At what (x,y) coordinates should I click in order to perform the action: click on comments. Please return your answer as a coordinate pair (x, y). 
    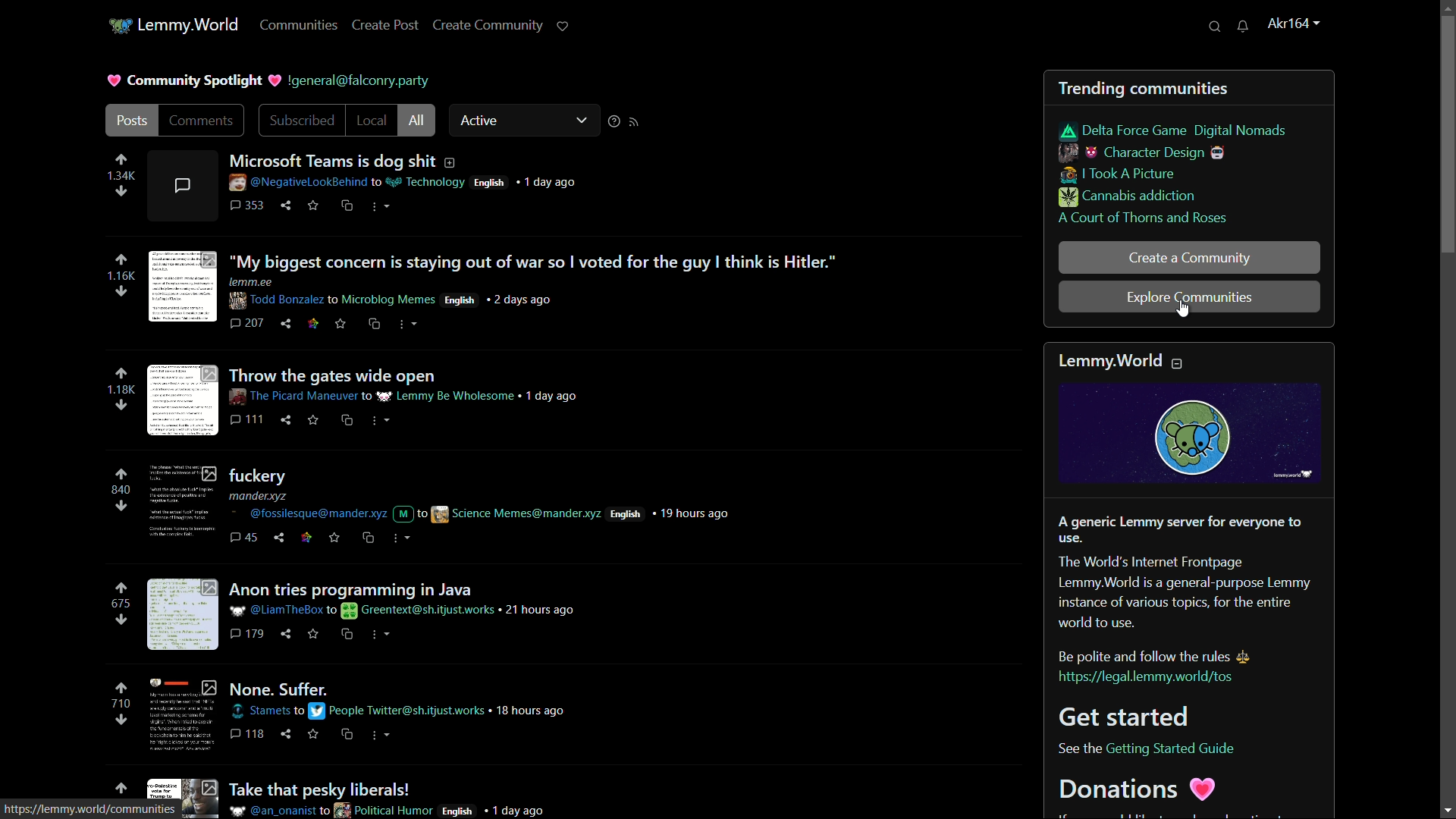
    Looking at the image, I should click on (206, 121).